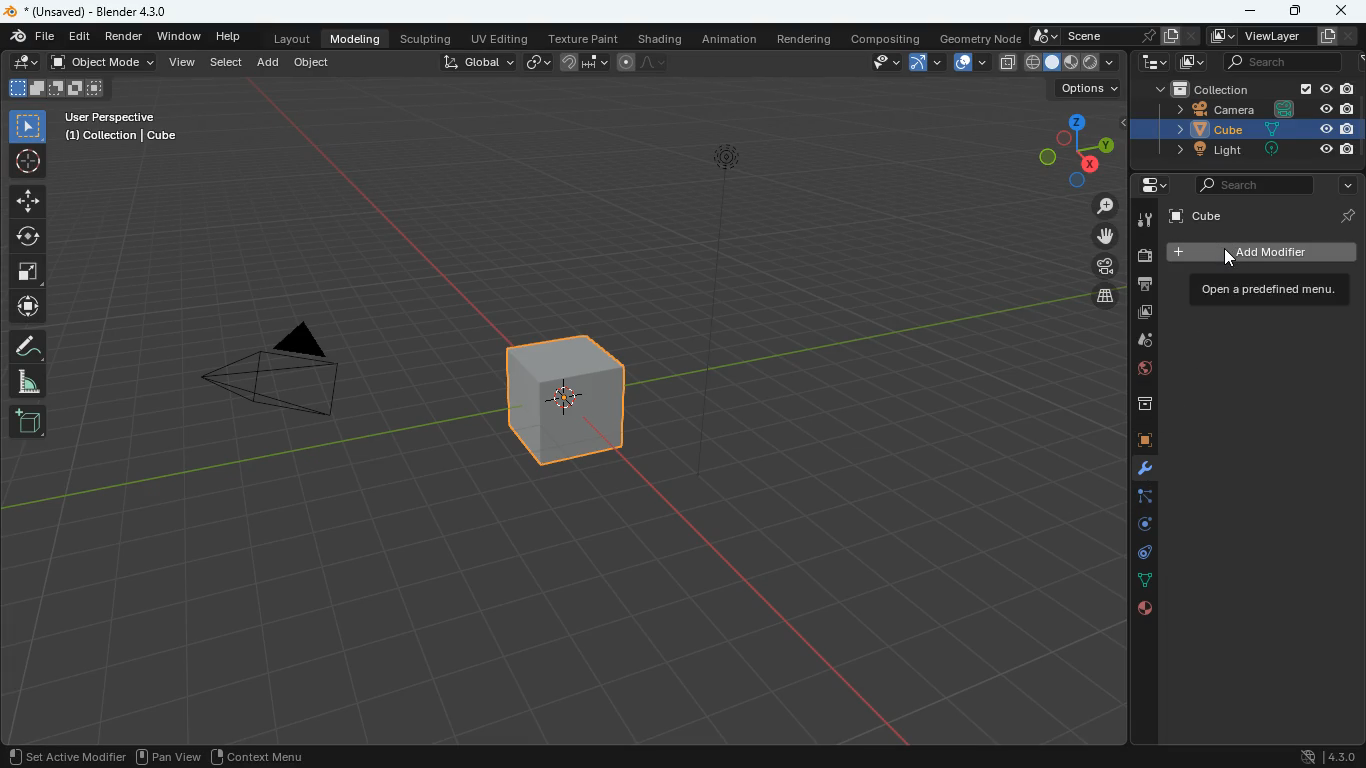  I want to click on public, so click(1146, 610).